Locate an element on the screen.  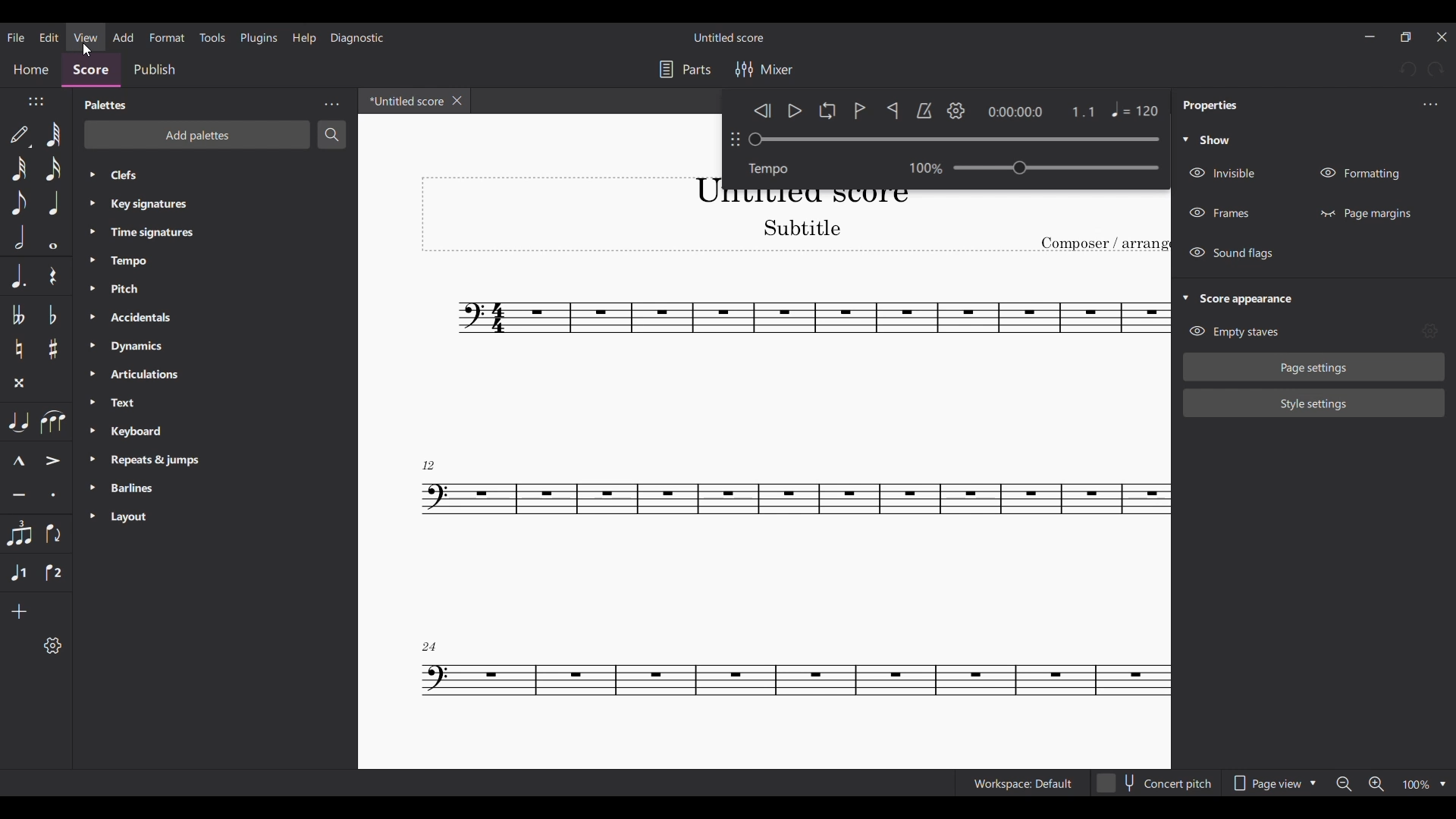
Add is located at coordinates (123, 37).